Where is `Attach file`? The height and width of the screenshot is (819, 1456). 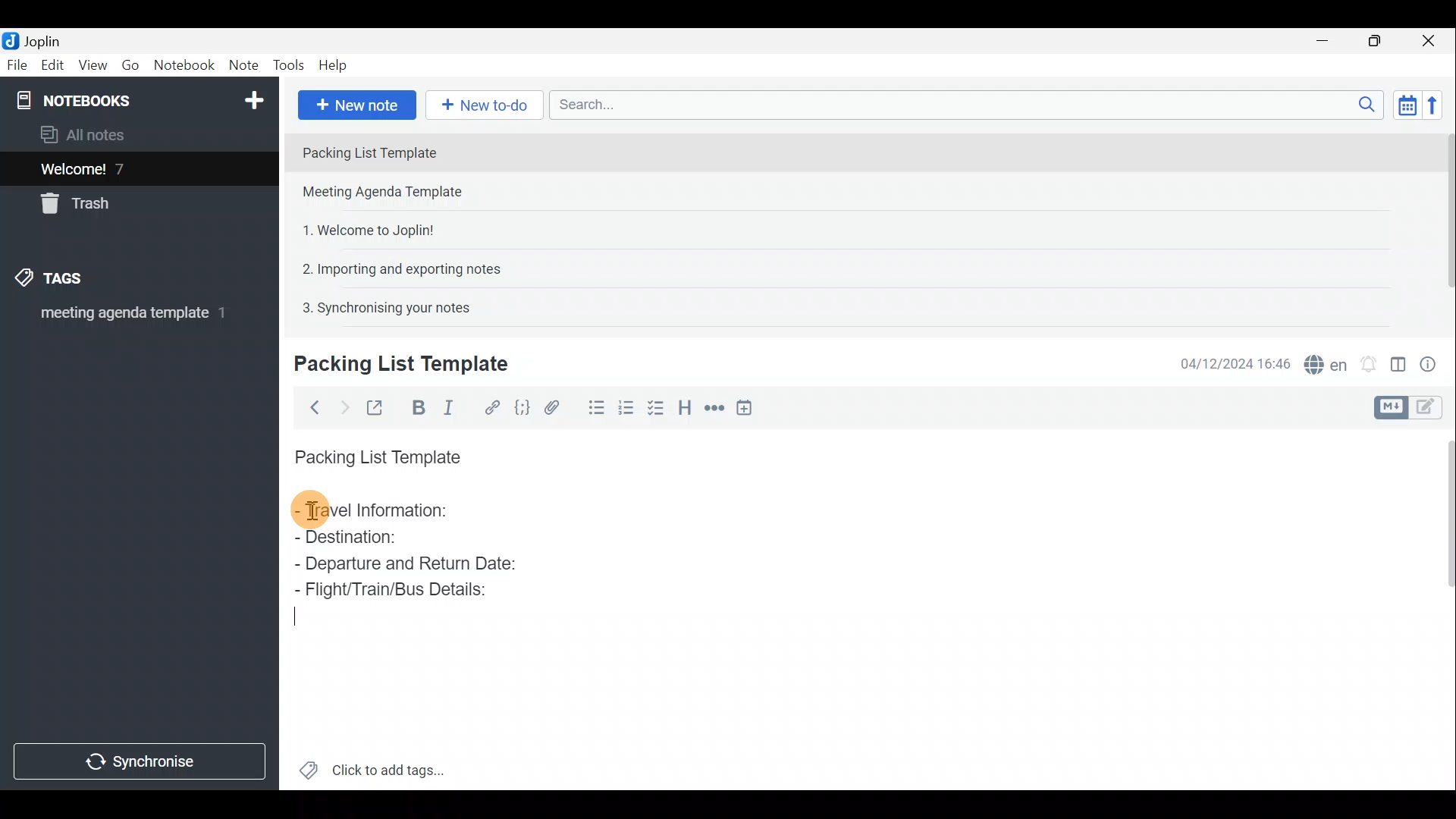 Attach file is located at coordinates (552, 406).